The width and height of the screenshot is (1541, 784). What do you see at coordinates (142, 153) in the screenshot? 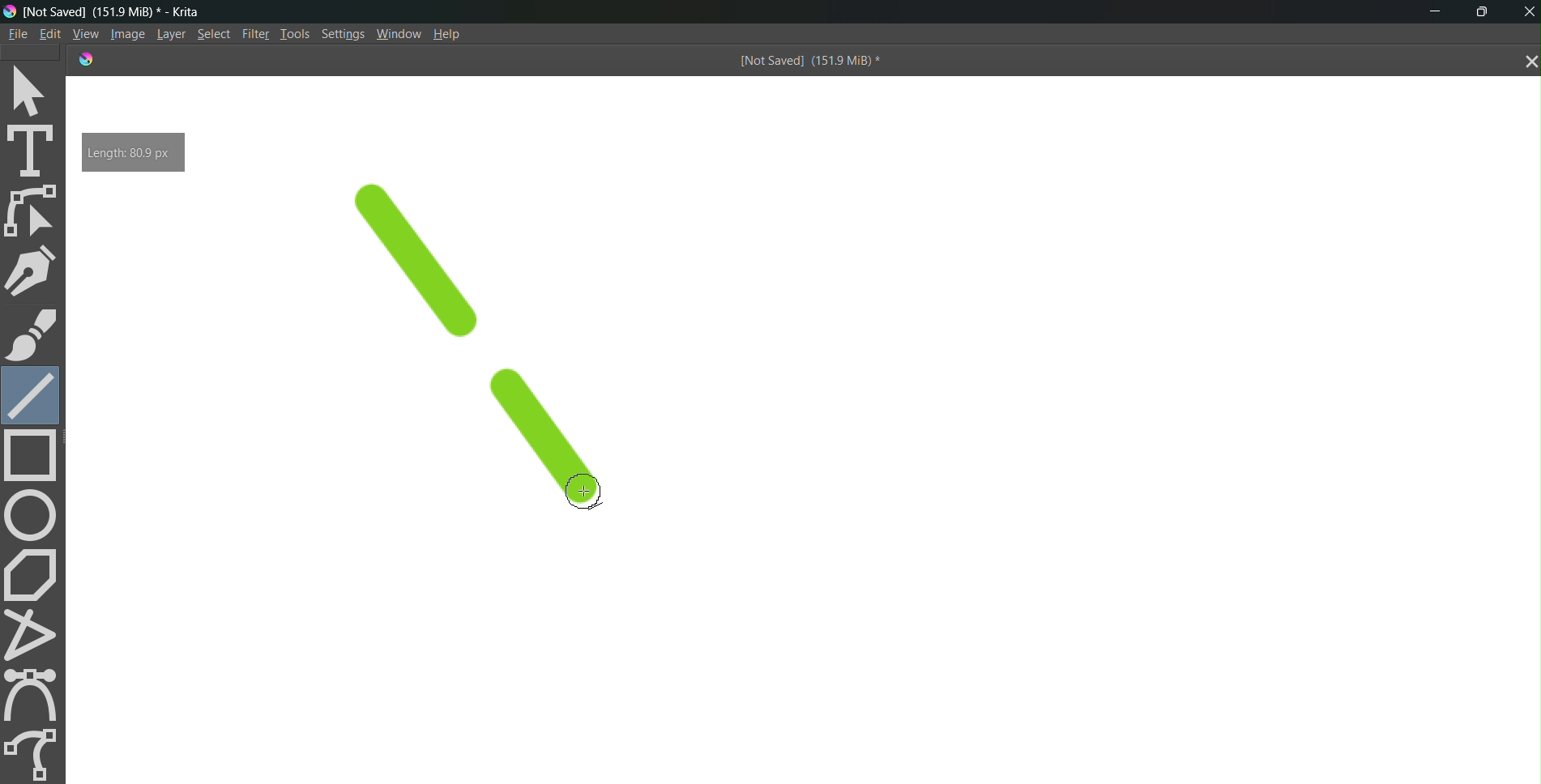
I see `Length` at bounding box center [142, 153].